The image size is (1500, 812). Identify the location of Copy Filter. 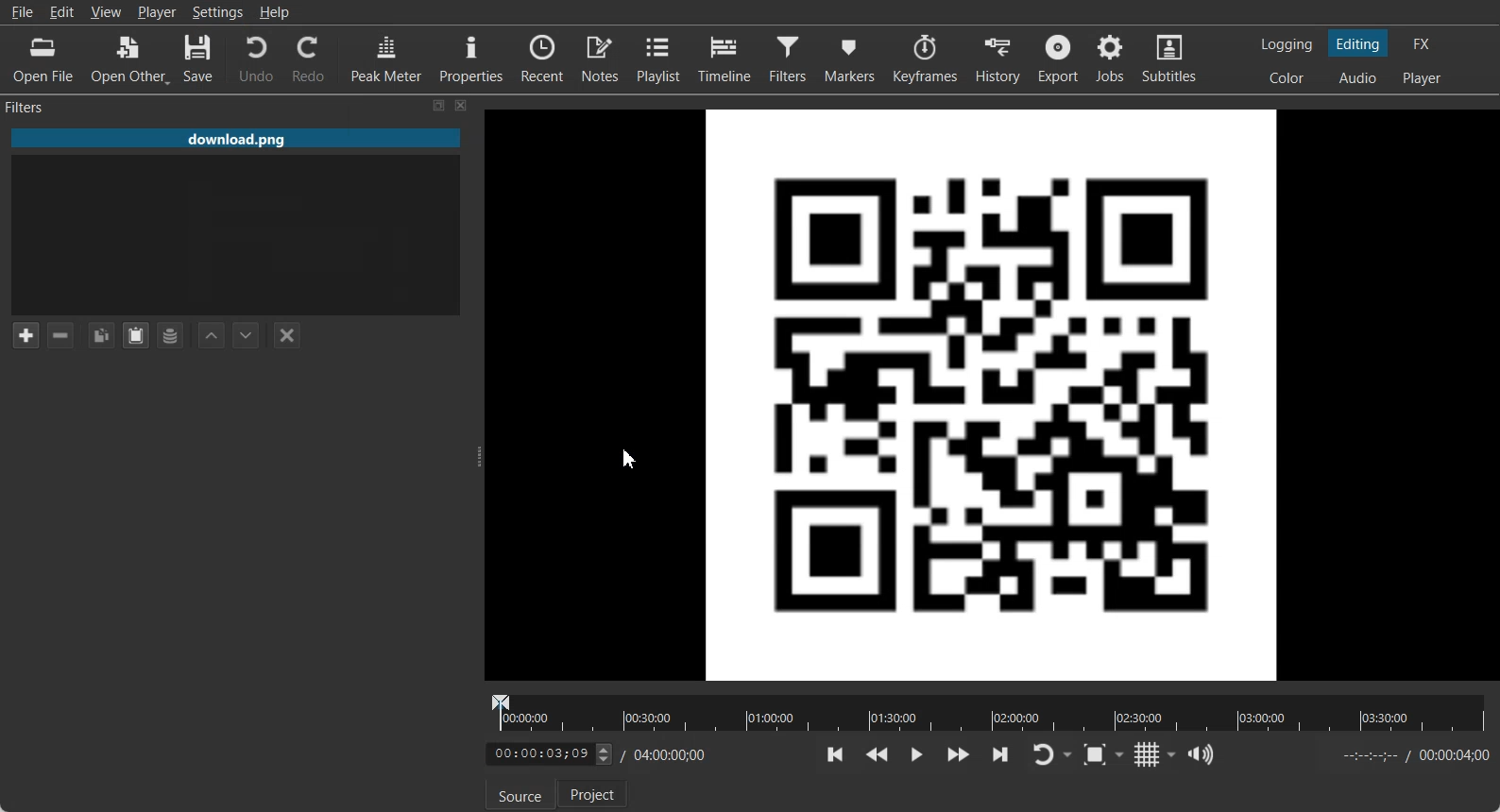
(100, 335).